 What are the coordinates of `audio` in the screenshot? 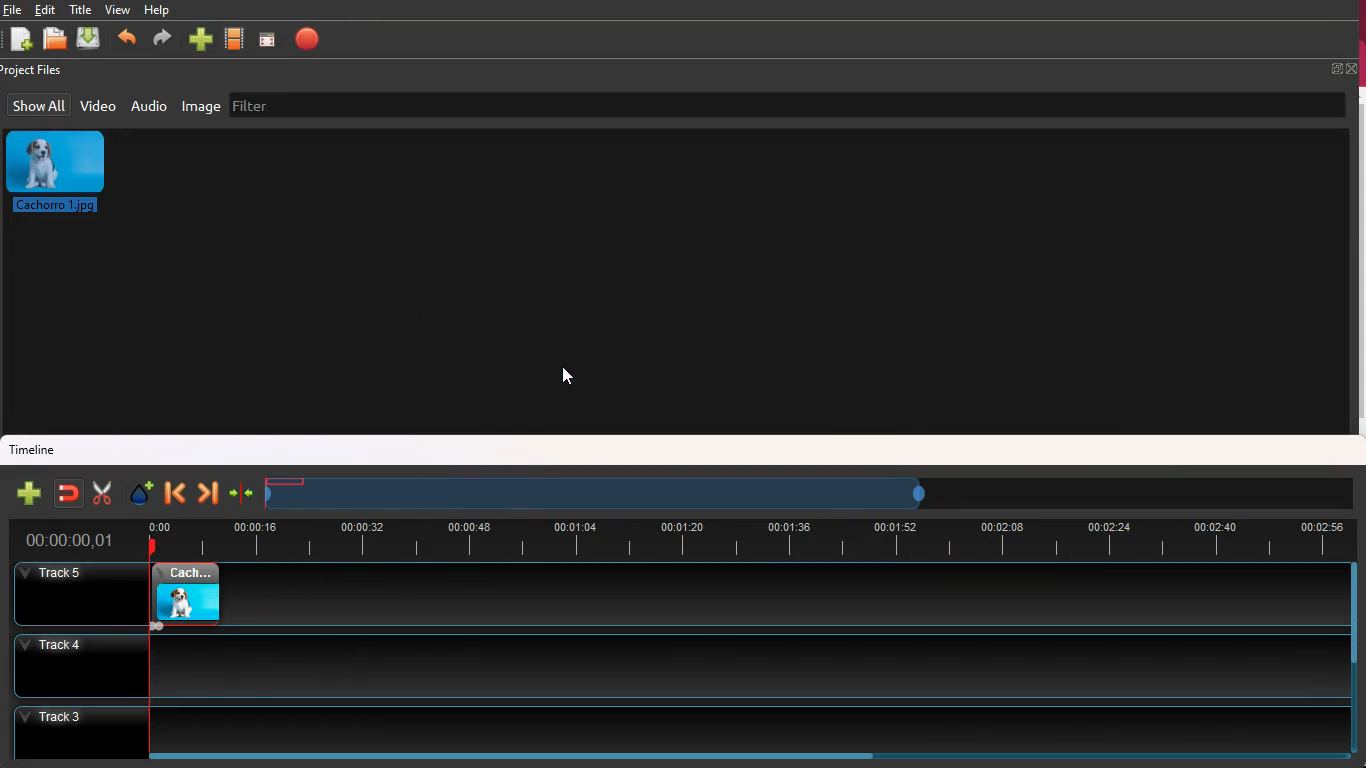 It's located at (151, 108).